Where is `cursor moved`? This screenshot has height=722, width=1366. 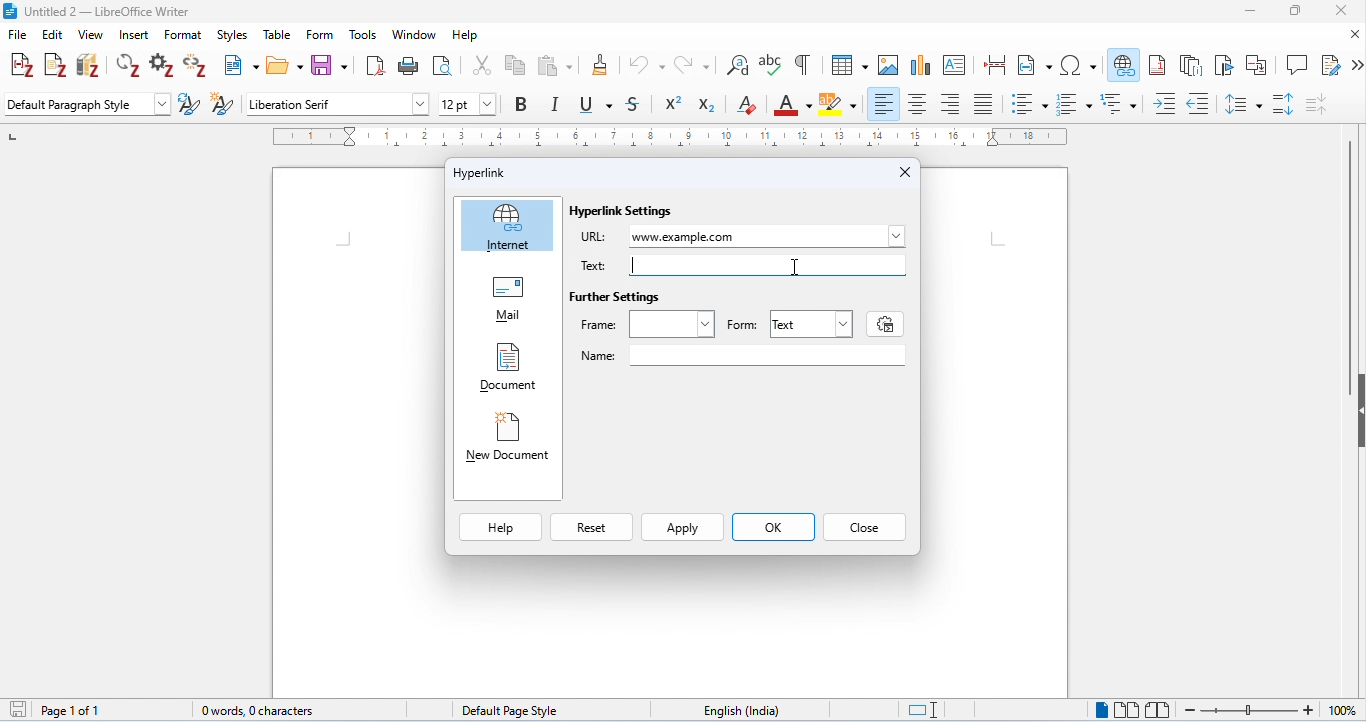 cursor moved is located at coordinates (803, 269).